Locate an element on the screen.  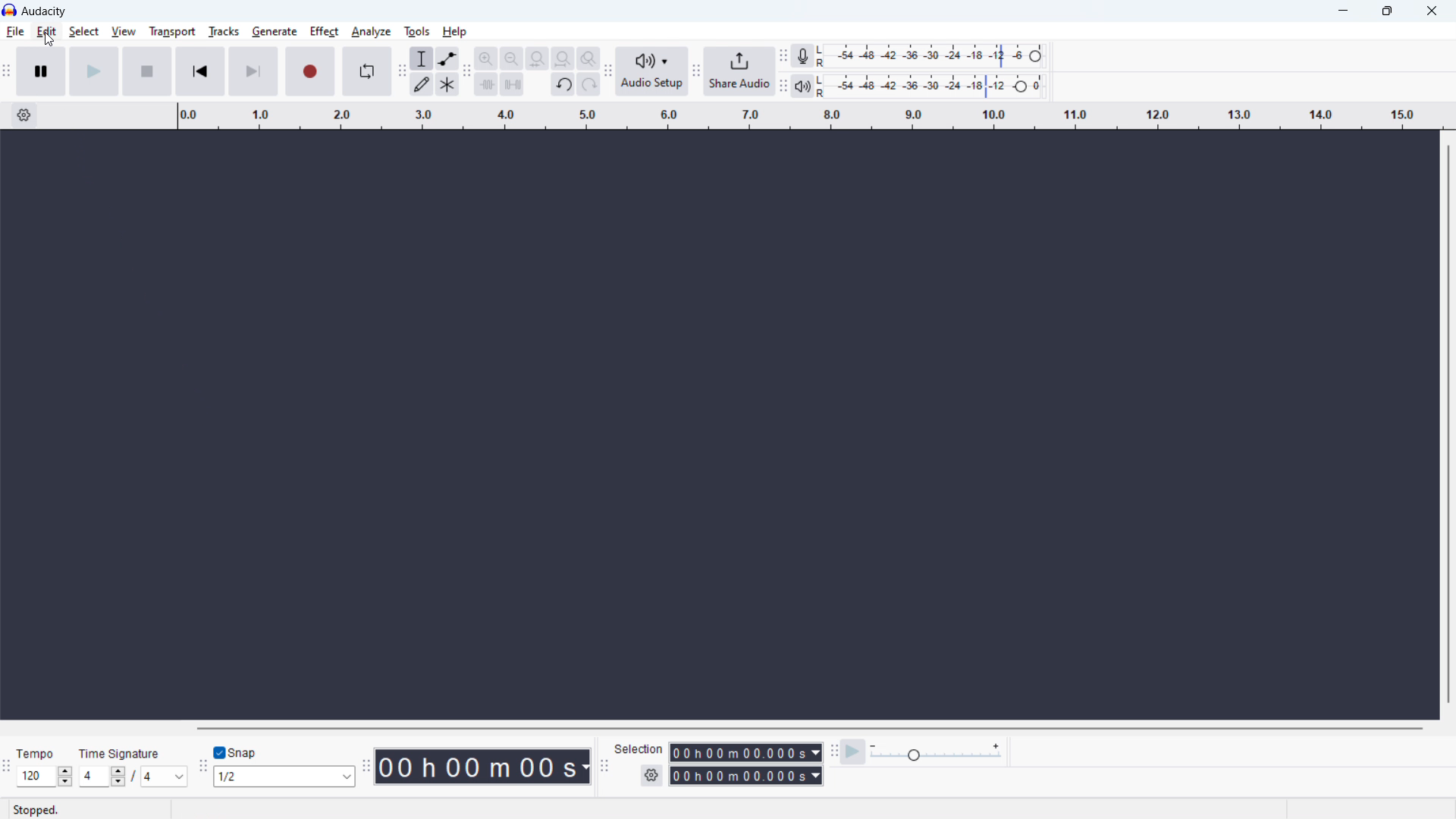
pause is located at coordinates (42, 71).